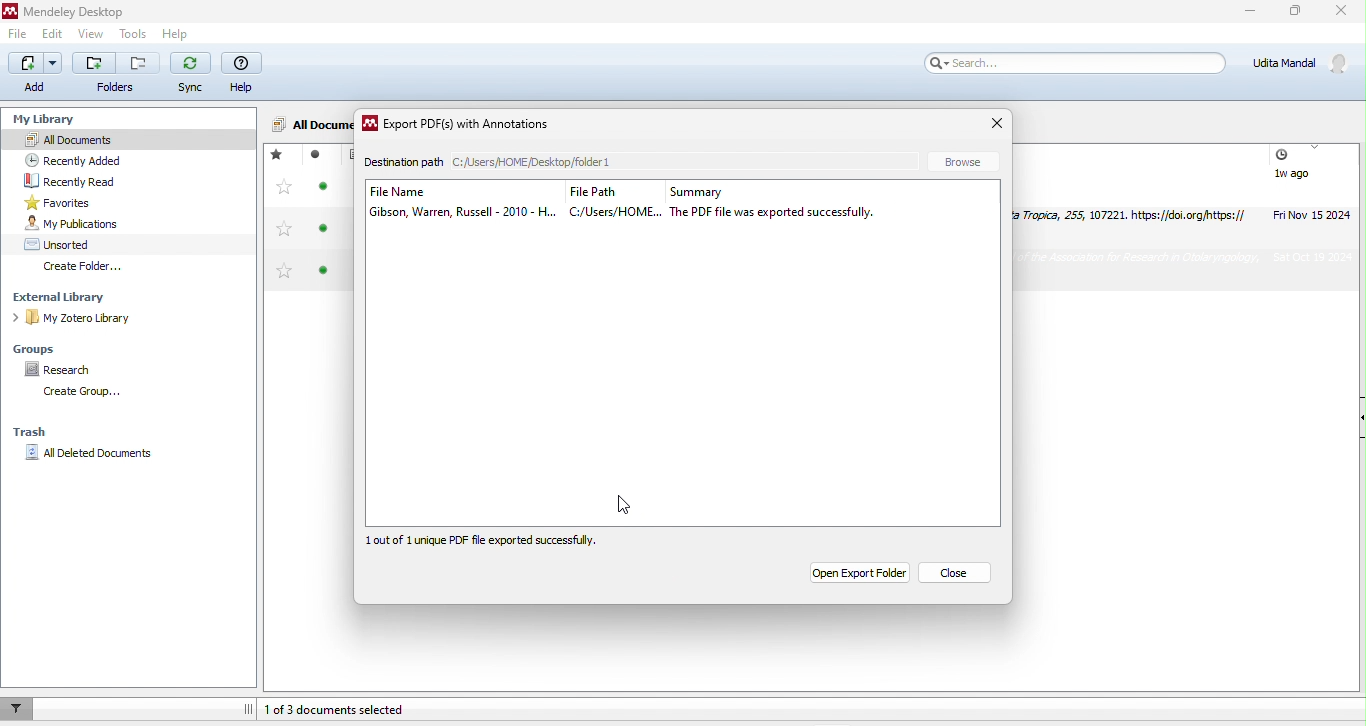  Describe the element at coordinates (247, 707) in the screenshot. I see `toggle hide/show` at that location.